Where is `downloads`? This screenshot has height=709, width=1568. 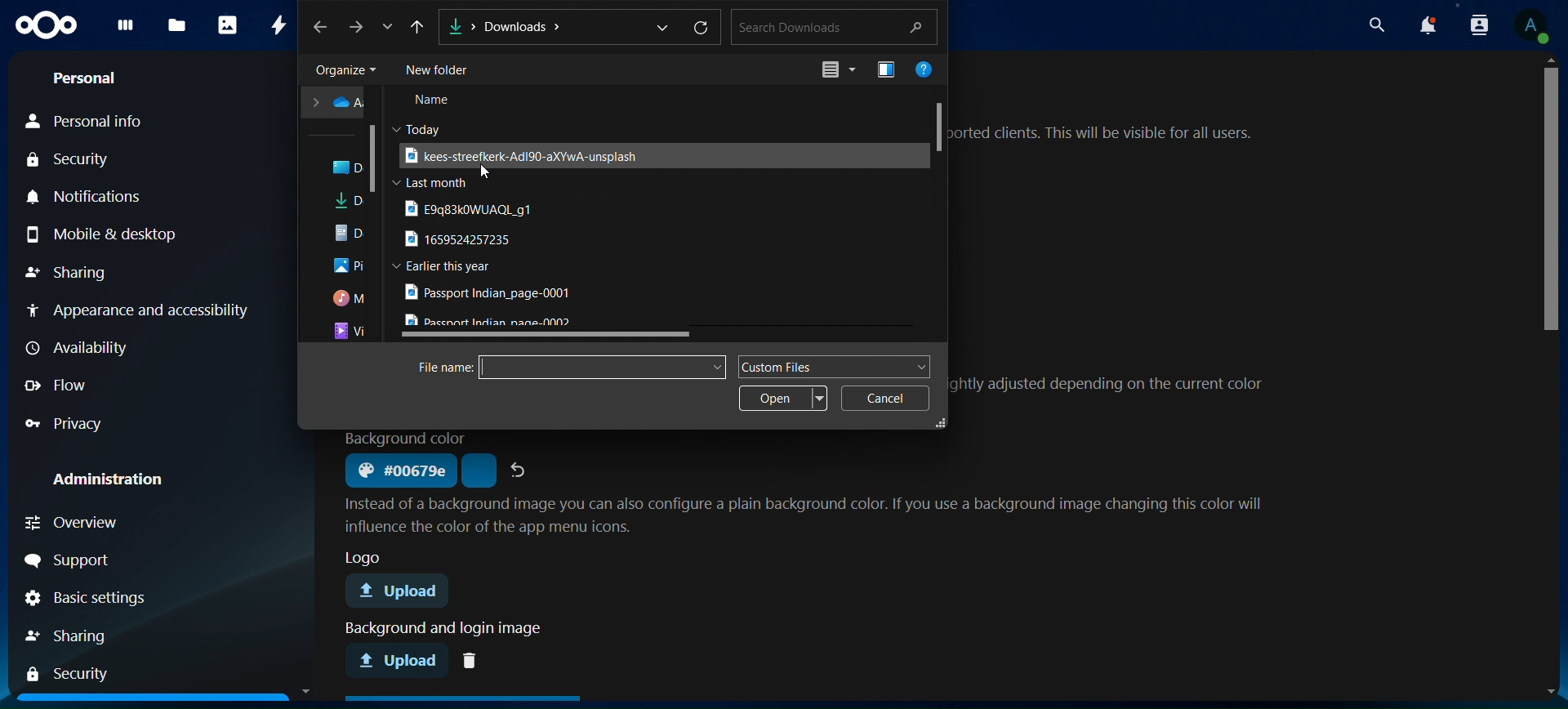 downloads is located at coordinates (555, 25).